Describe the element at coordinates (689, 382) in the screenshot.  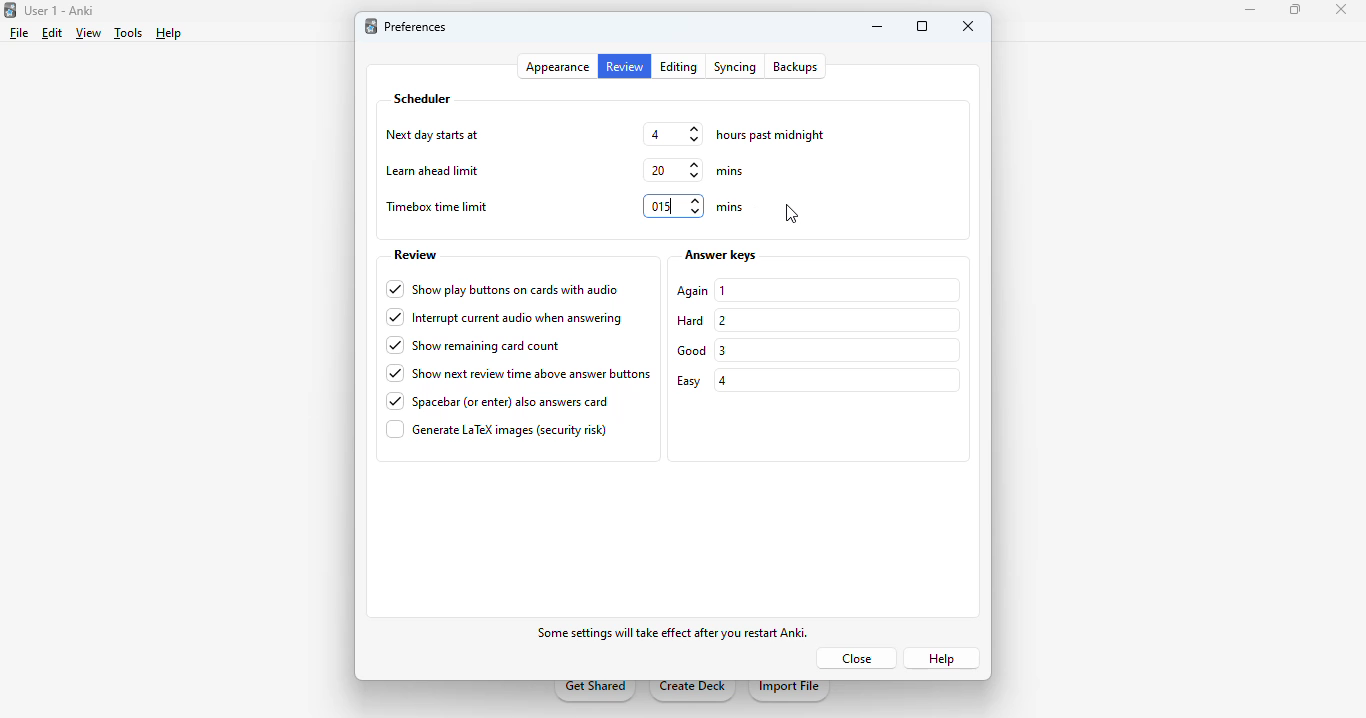
I see `easy` at that location.